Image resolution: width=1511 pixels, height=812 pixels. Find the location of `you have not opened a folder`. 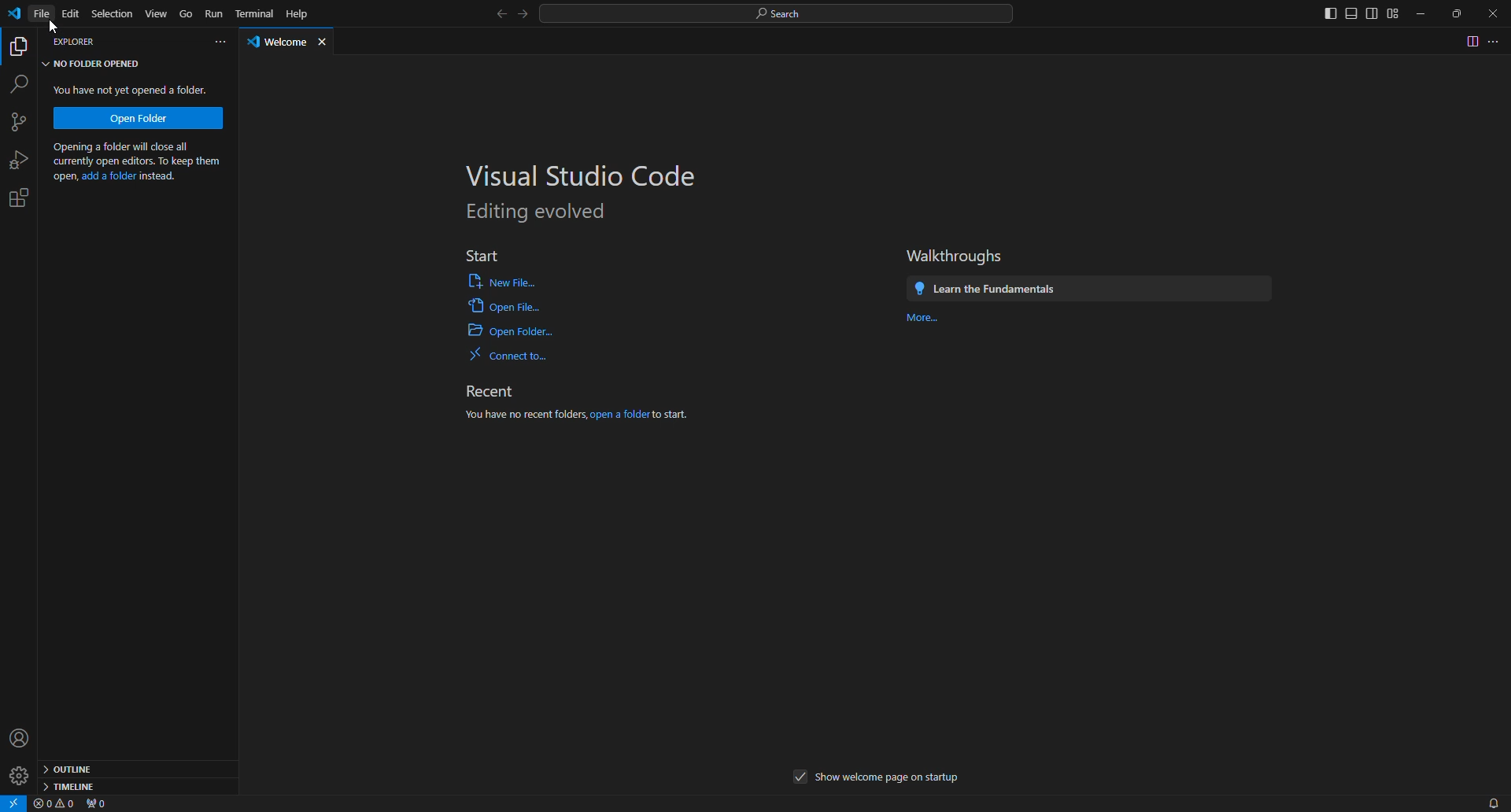

you have not opened a folder is located at coordinates (135, 90).